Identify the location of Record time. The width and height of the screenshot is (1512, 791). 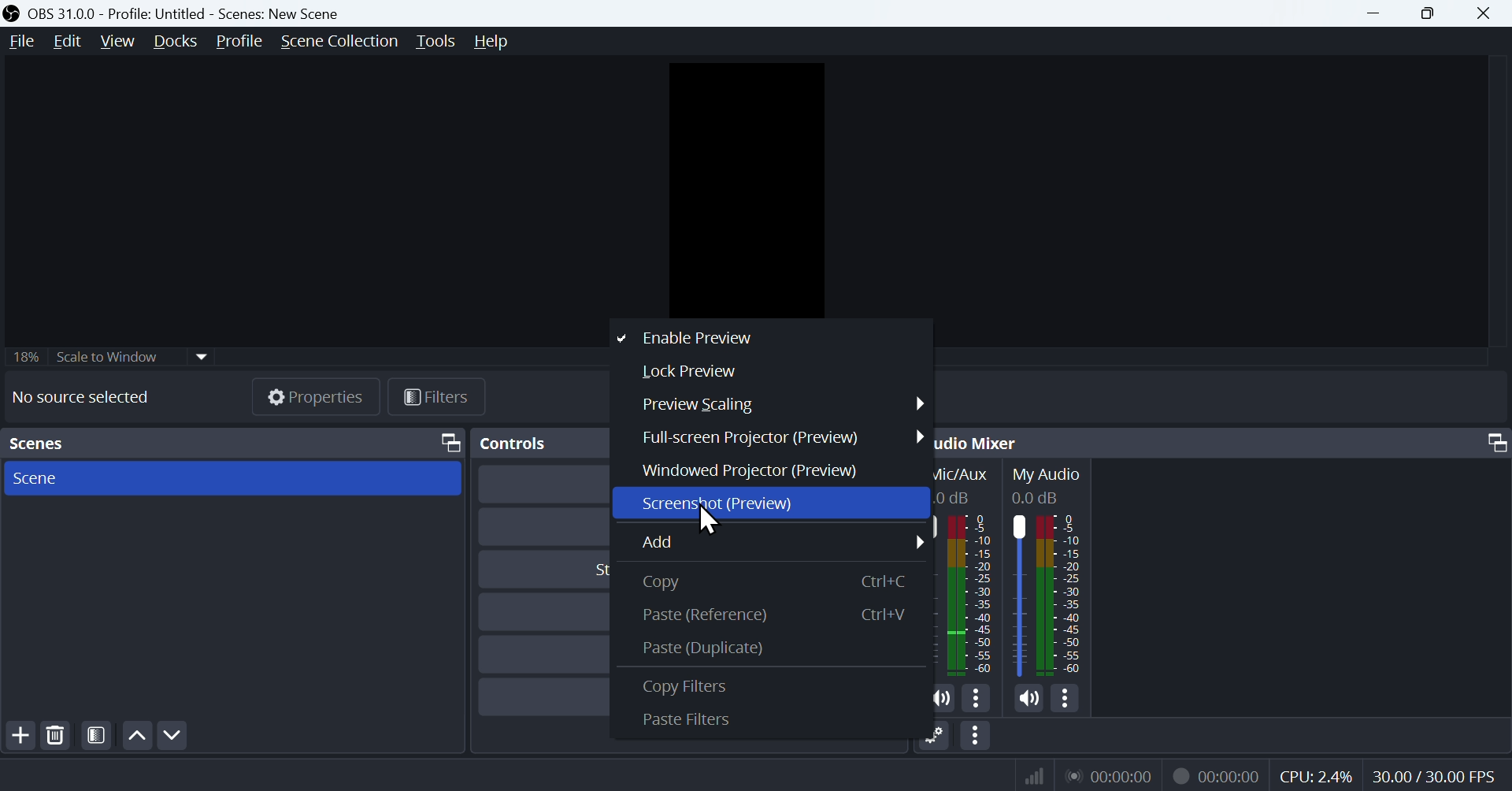
(1218, 774).